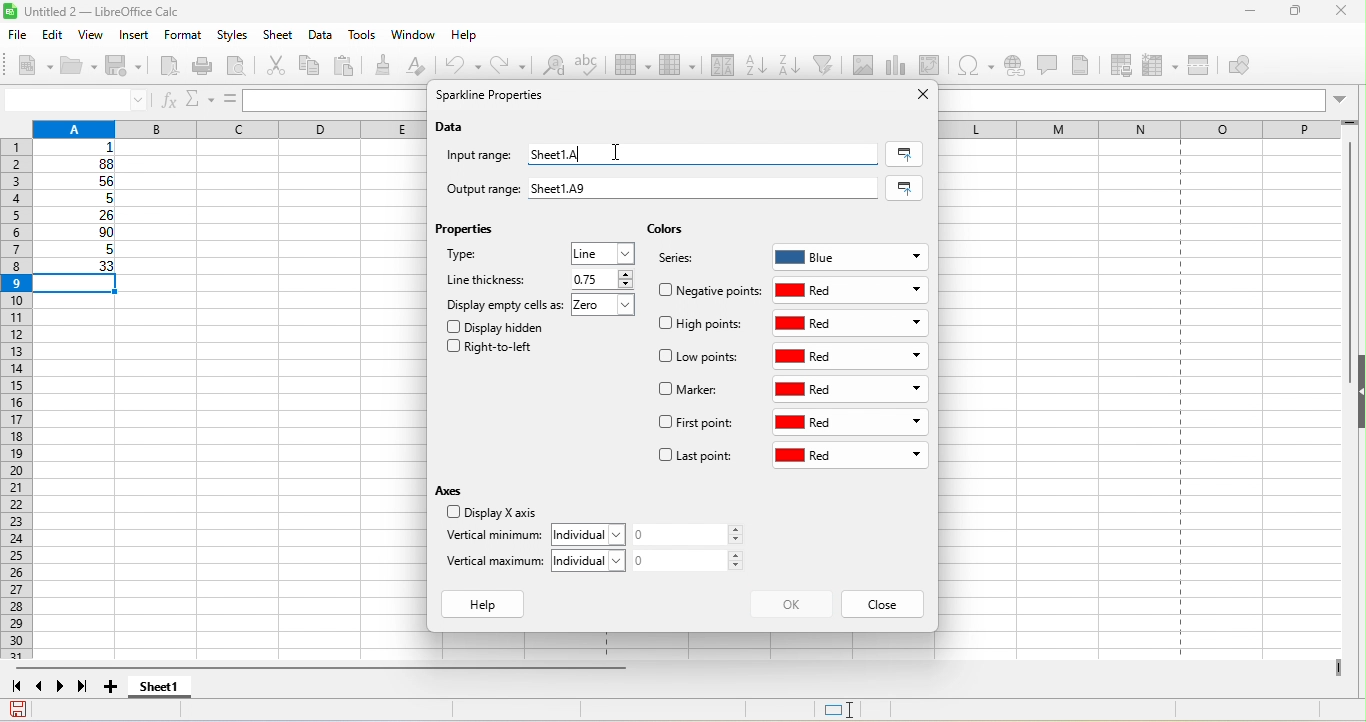 This screenshot has height=722, width=1366. Describe the element at coordinates (16, 33) in the screenshot. I see `file` at that location.